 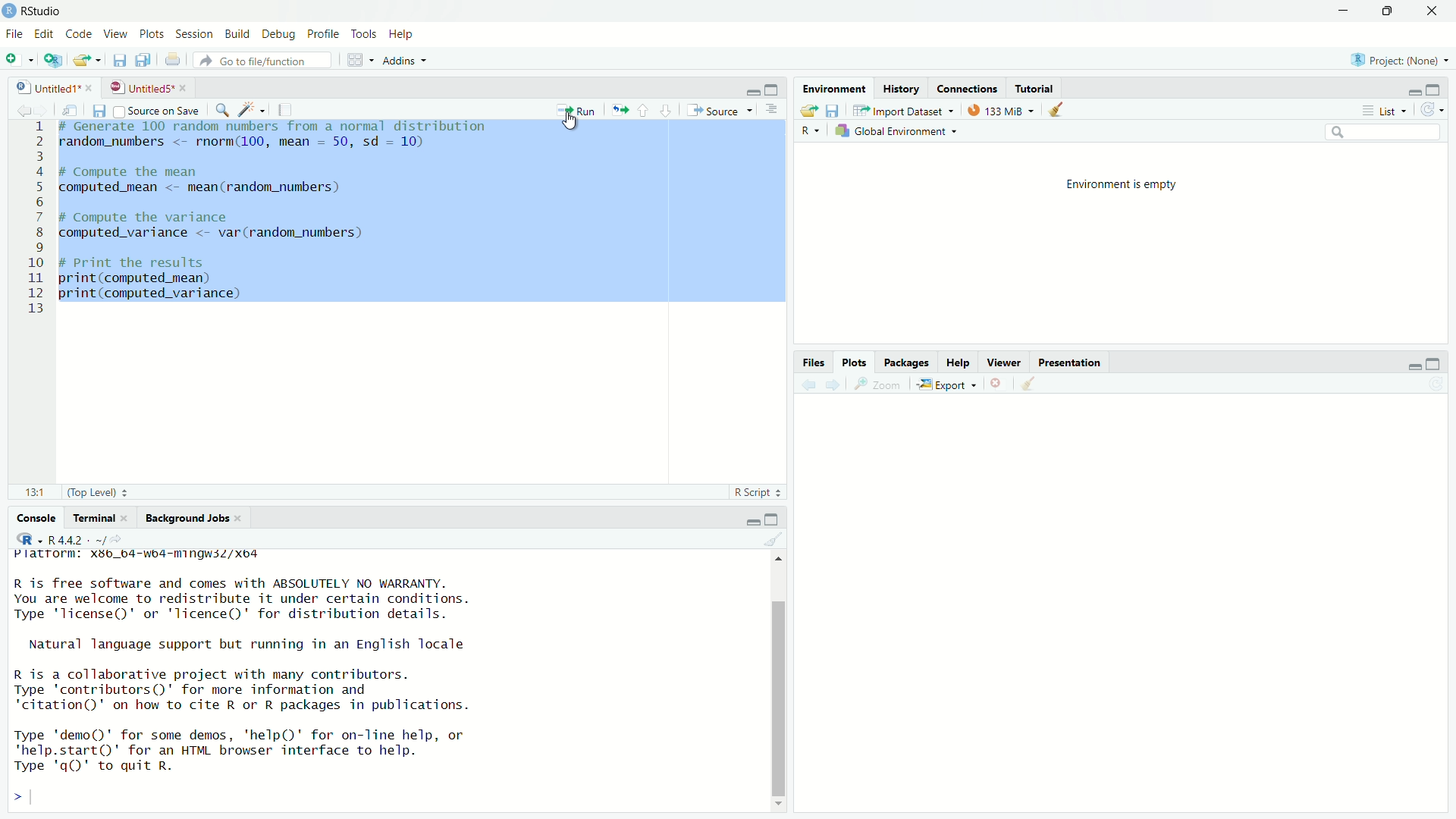 What do you see at coordinates (125, 539) in the screenshot?
I see `view the current working directory` at bounding box center [125, 539].